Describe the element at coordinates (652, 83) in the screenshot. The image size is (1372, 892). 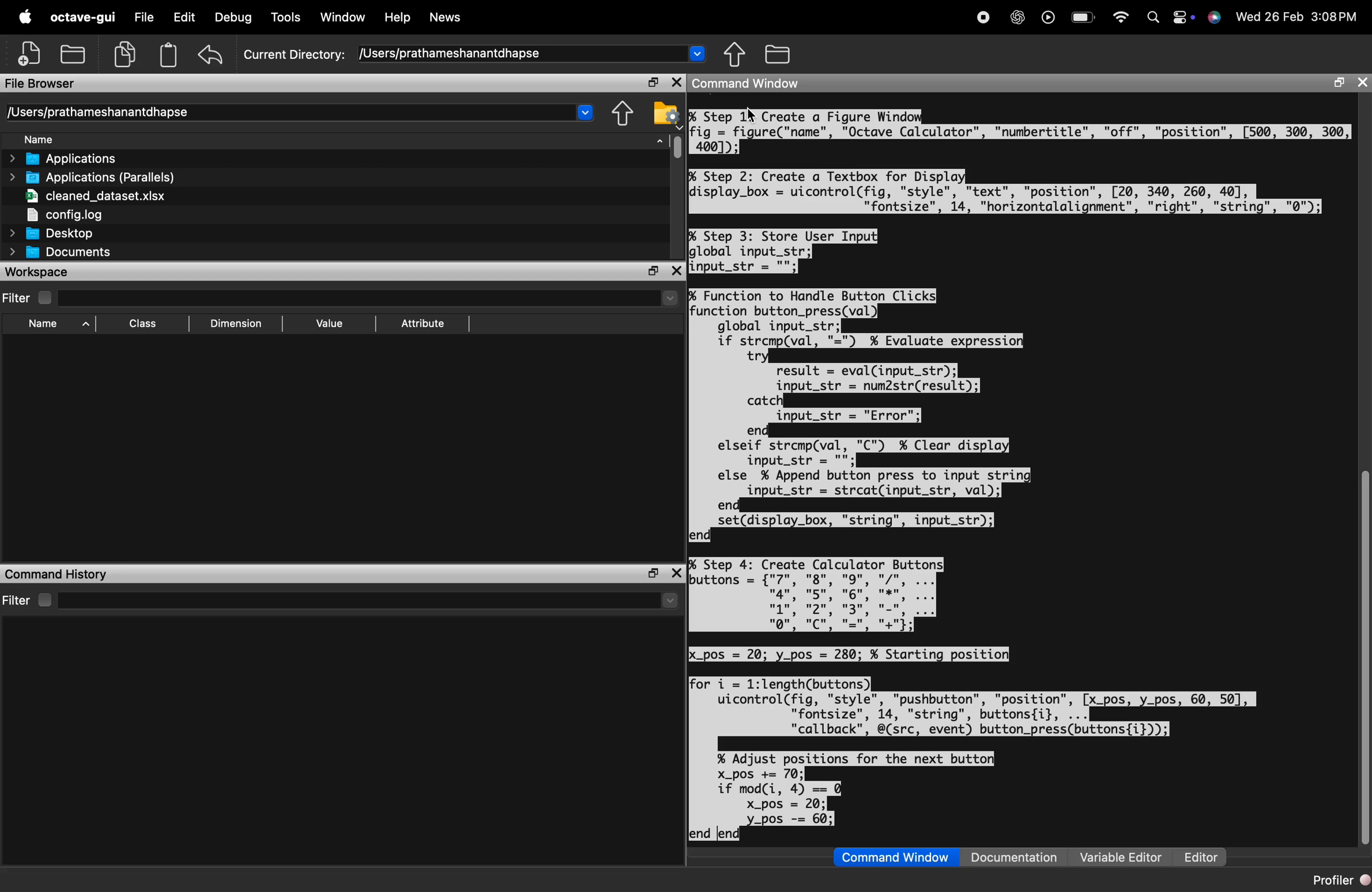
I see `maximize` at that location.